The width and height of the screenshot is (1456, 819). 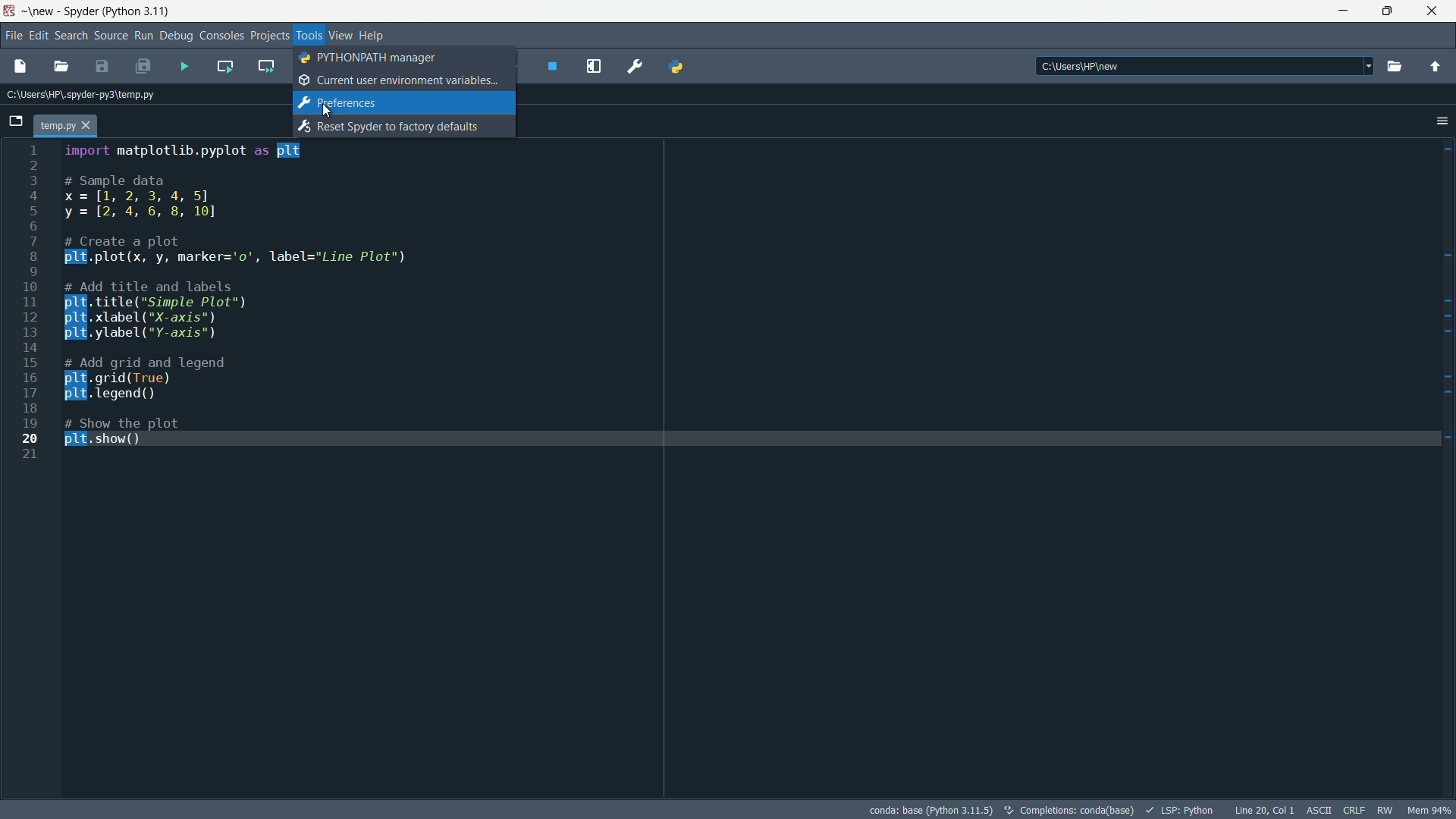 What do you see at coordinates (1354, 810) in the screenshot?
I see `file eol status` at bounding box center [1354, 810].